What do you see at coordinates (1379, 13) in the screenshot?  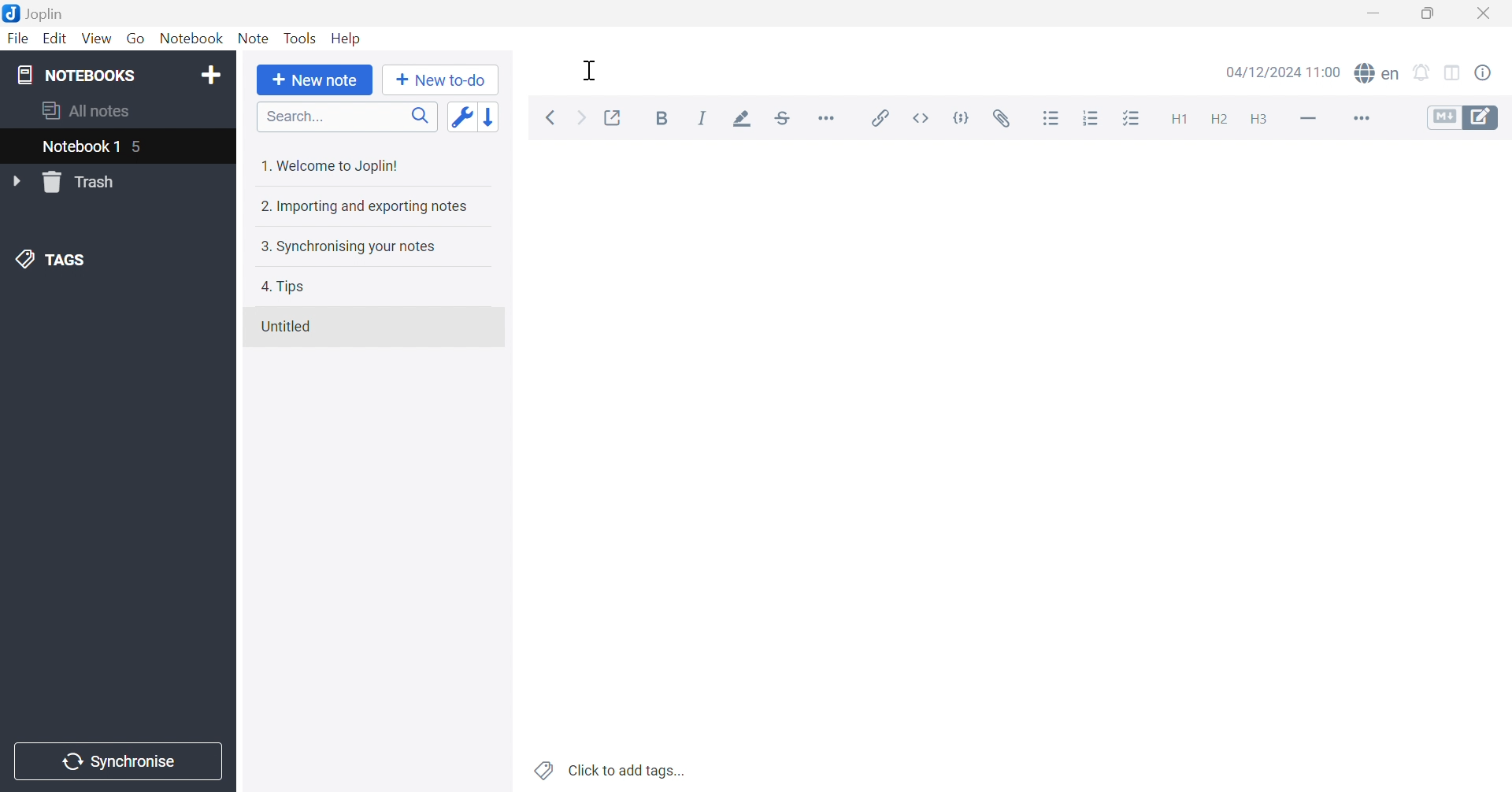 I see `Minimize` at bounding box center [1379, 13].